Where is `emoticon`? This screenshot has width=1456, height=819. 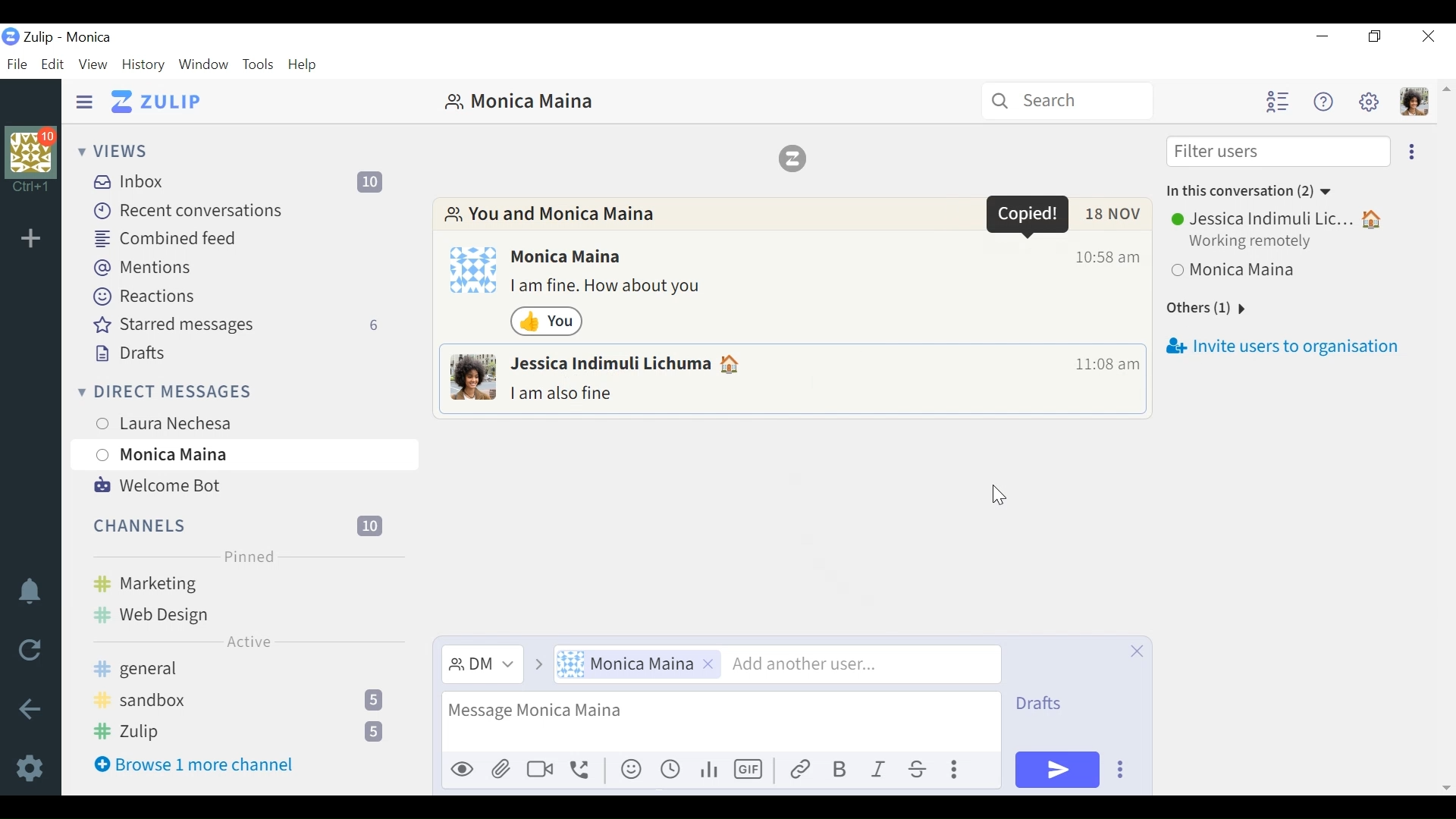
emoticon is located at coordinates (633, 770).